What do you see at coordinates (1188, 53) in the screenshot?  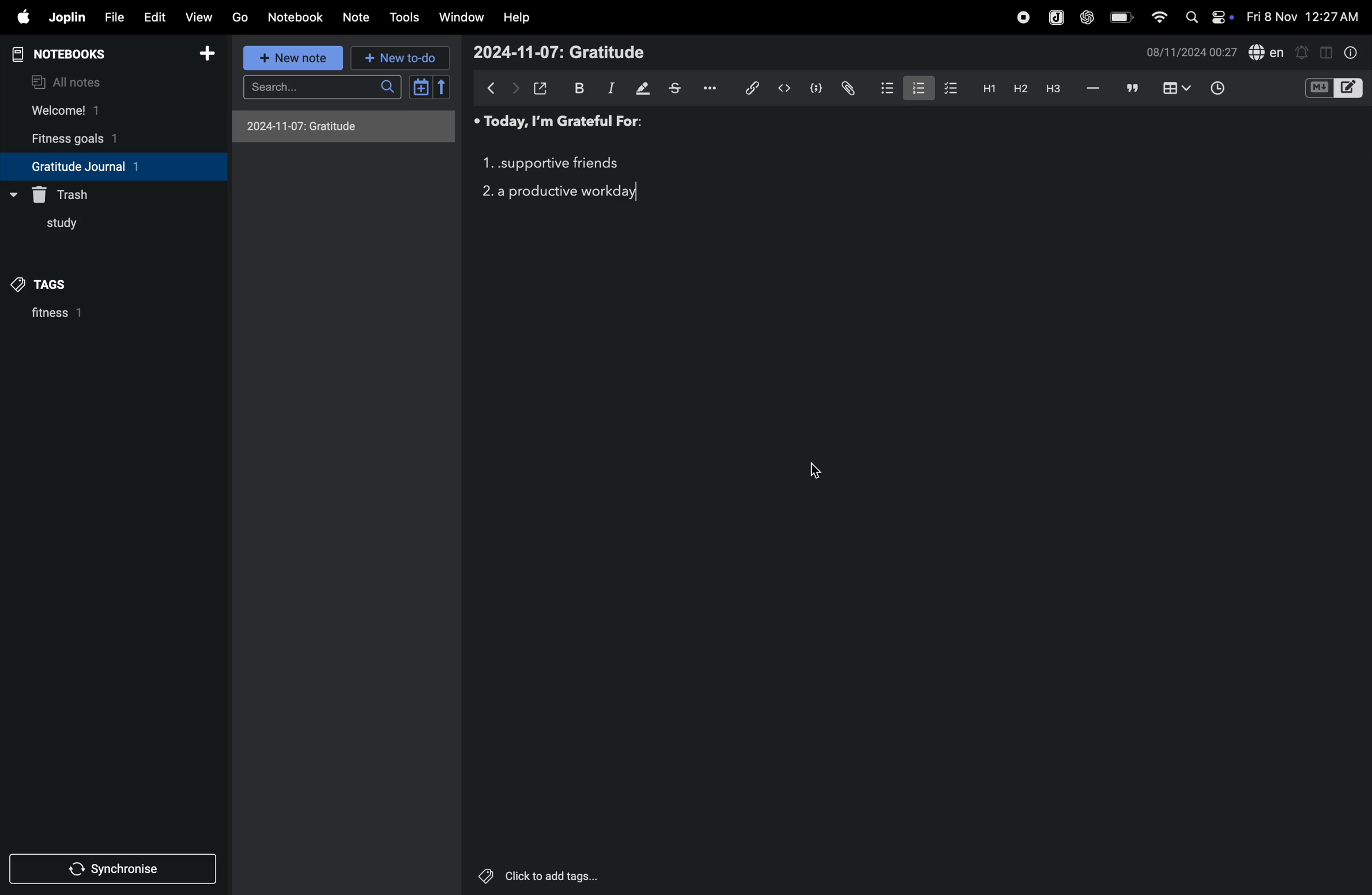 I see `08/11/2024 00:27` at bounding box center [1188, 53].